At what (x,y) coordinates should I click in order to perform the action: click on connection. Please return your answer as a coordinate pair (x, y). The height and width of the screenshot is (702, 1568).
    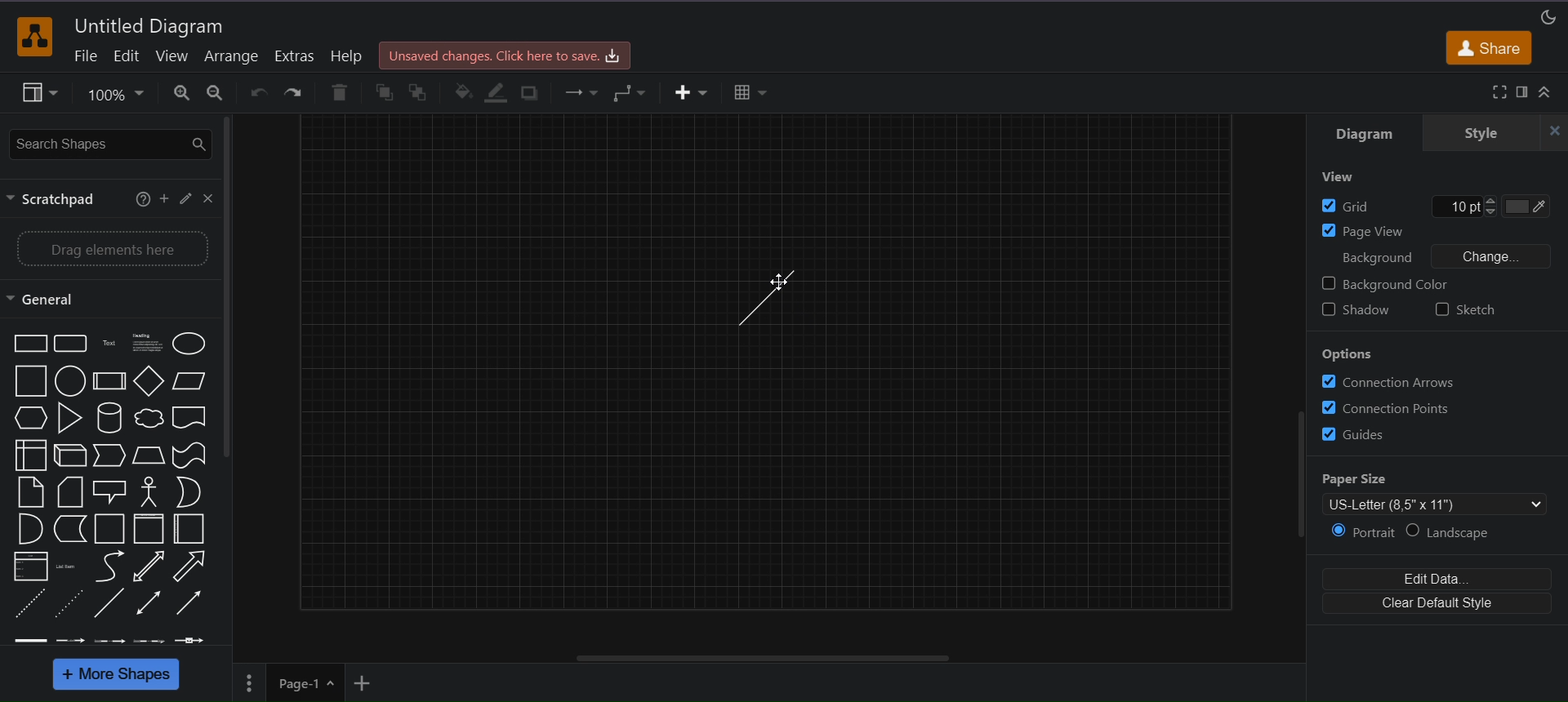
    Looking at the image, I should click on (579, 92).